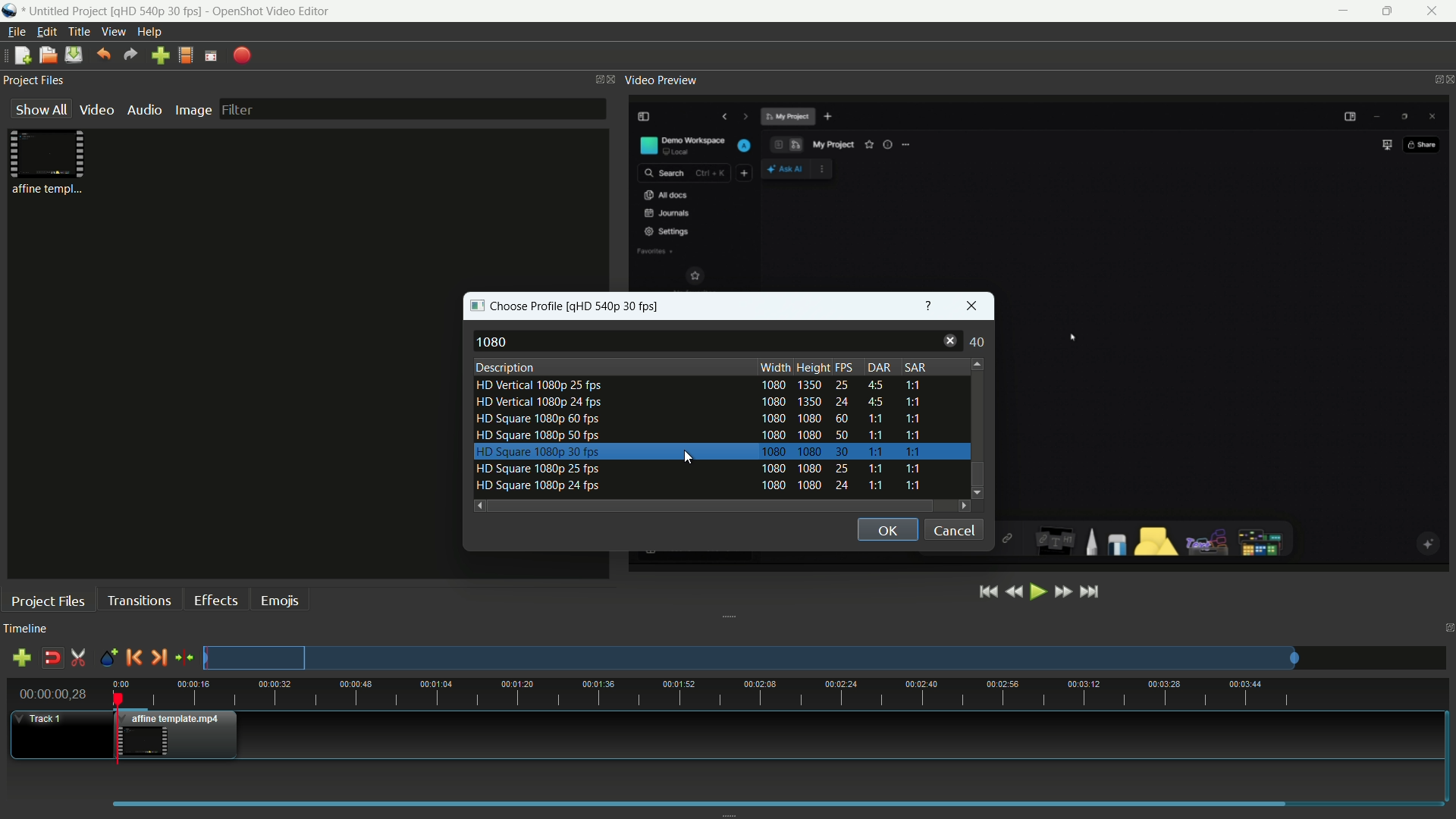  Describe the element at coordinates (695, 469) in the screenshot. I see `profile-6` at that location.